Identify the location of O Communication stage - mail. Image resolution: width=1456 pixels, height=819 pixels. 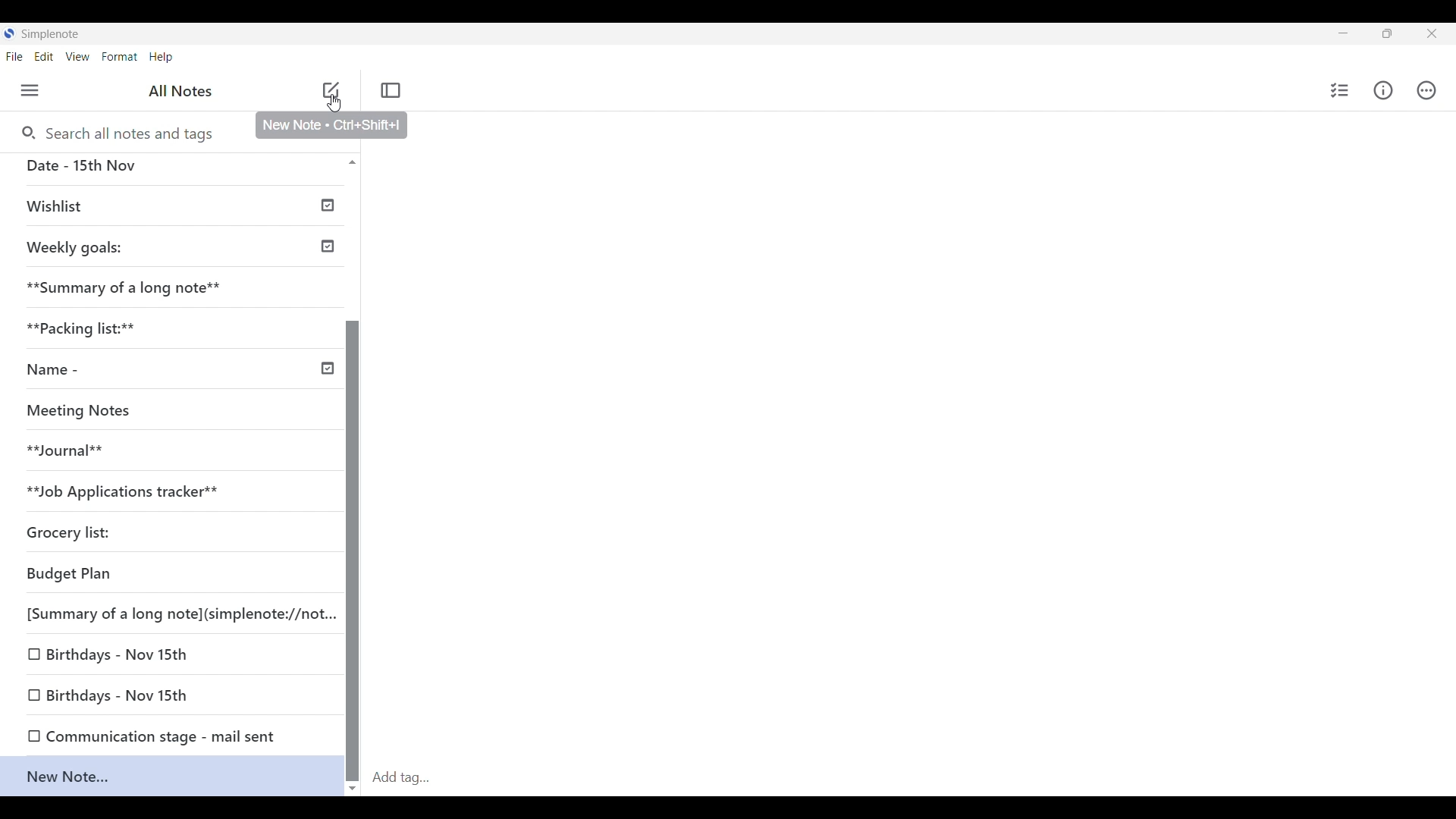
(158, 736).